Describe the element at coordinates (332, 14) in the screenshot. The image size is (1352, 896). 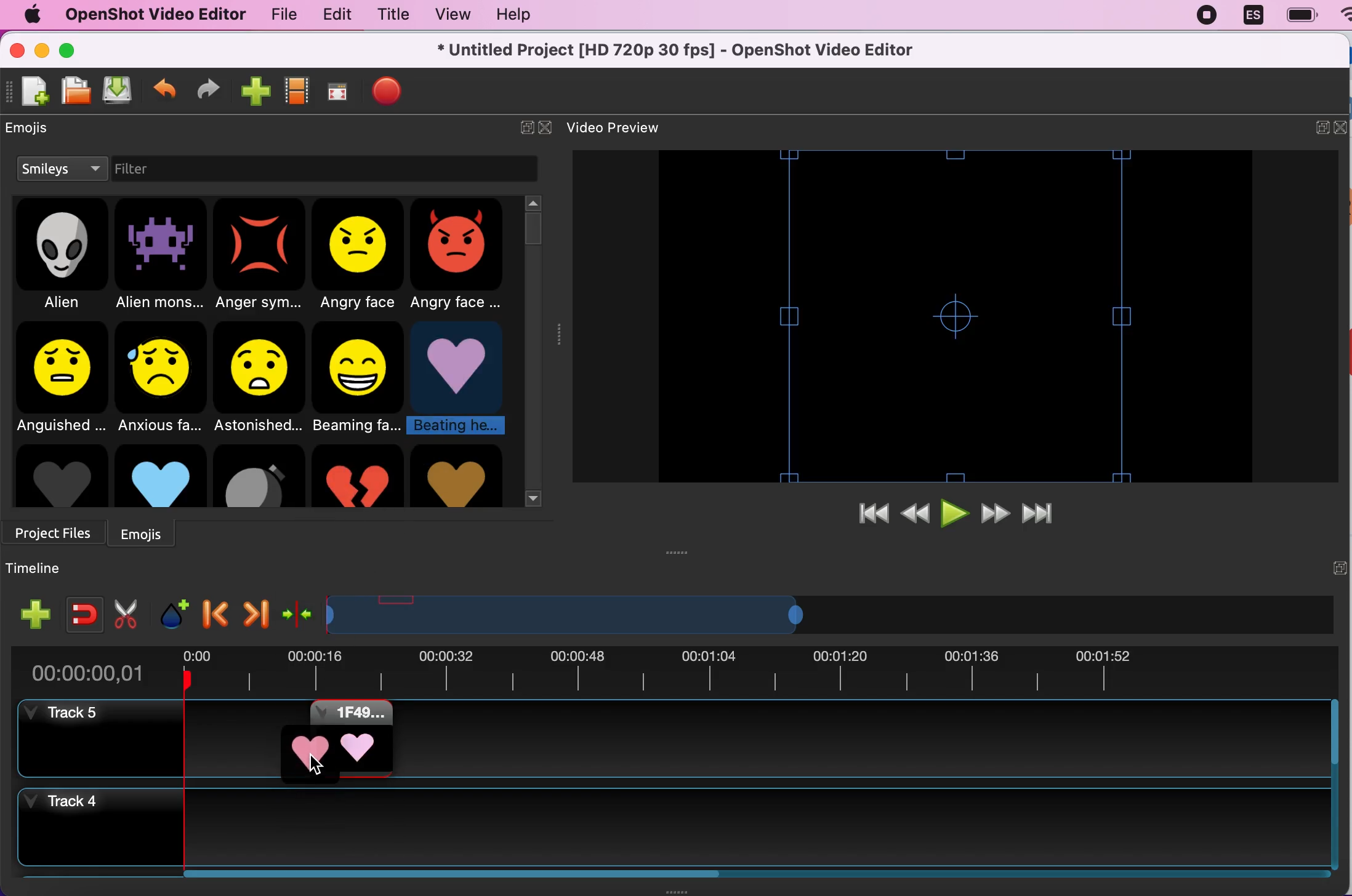
I see `edit` at that location.